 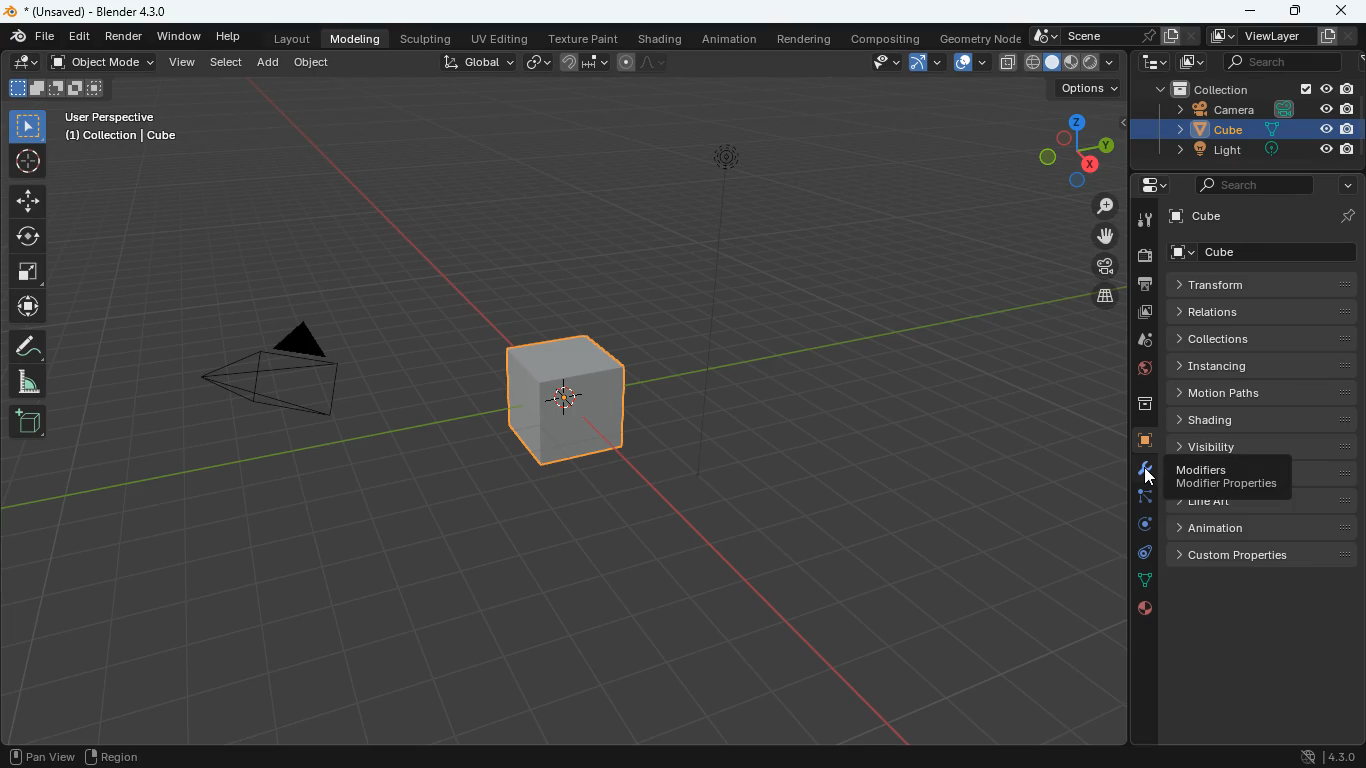 I want to click on copy, so click(x=1006, y=61).